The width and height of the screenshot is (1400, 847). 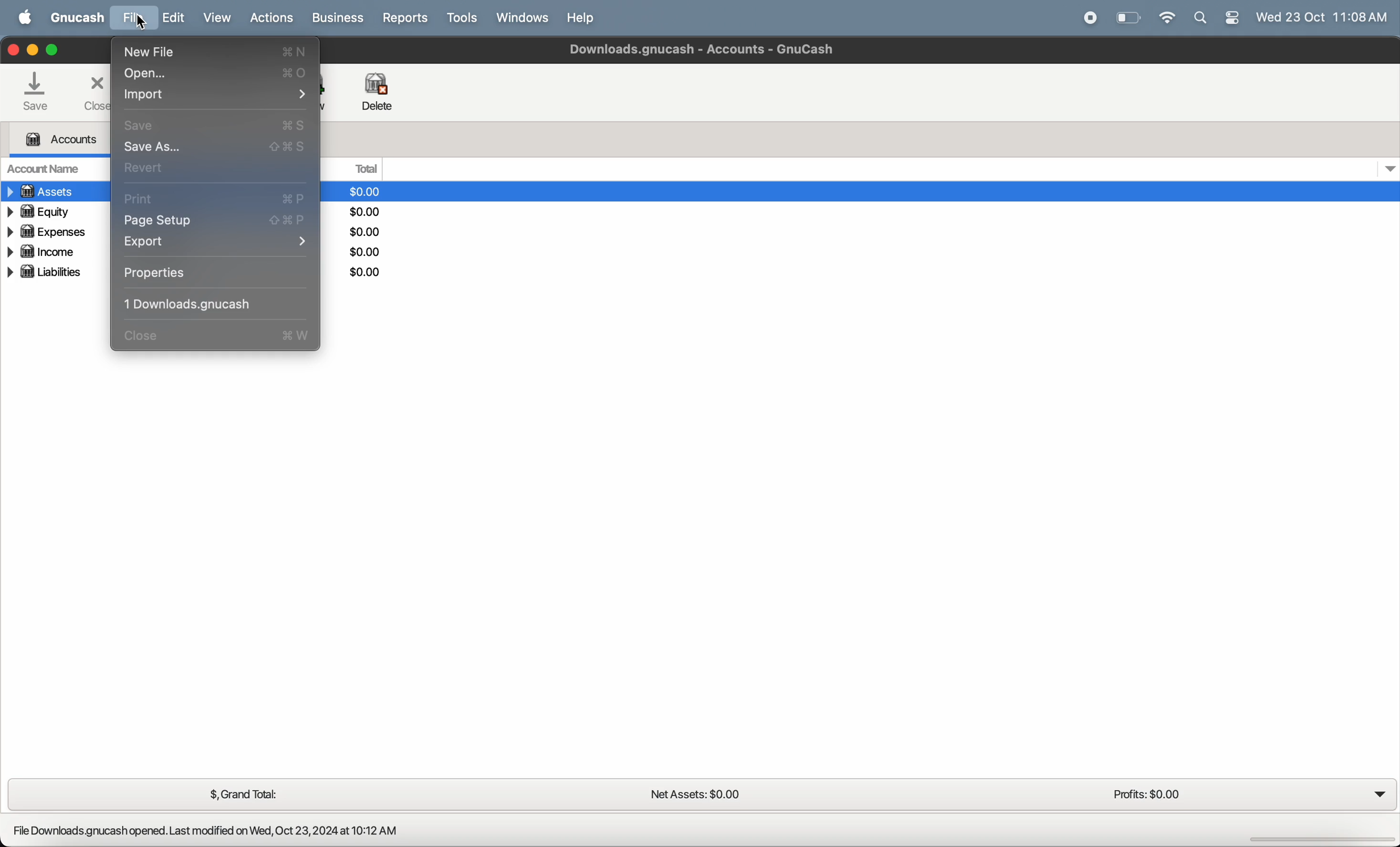 What do you see at coordinates (53, 167) in the screenshot?
I see `account  name` at bounding box center [53, 167].